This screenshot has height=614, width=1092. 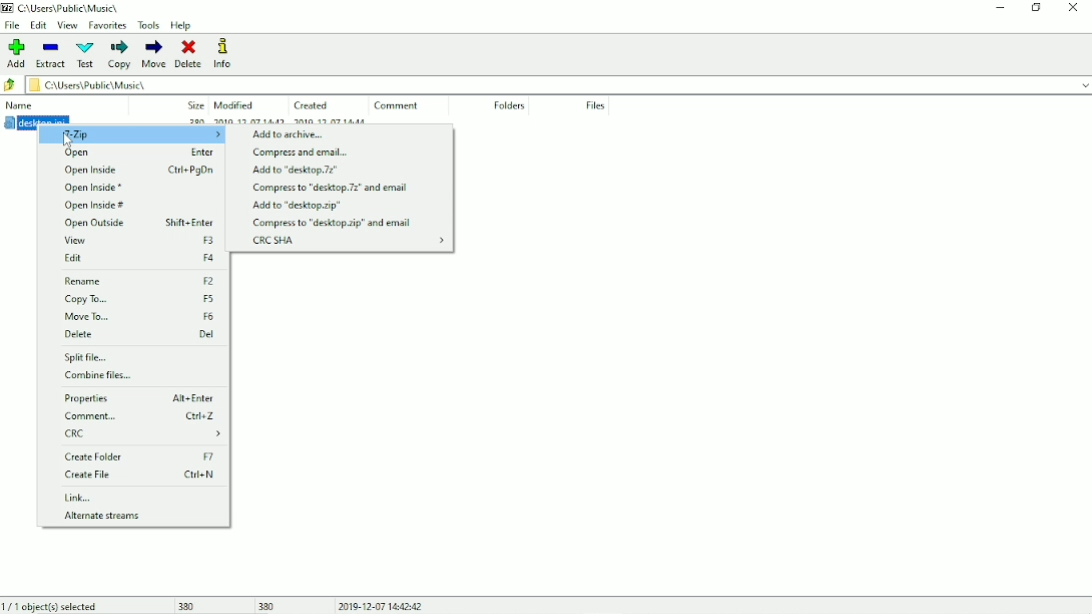 What do you see at coordinates (343, 121) in the screenshot?
I see `2019-12-07 1eld.` at bounding box center [343, 121].